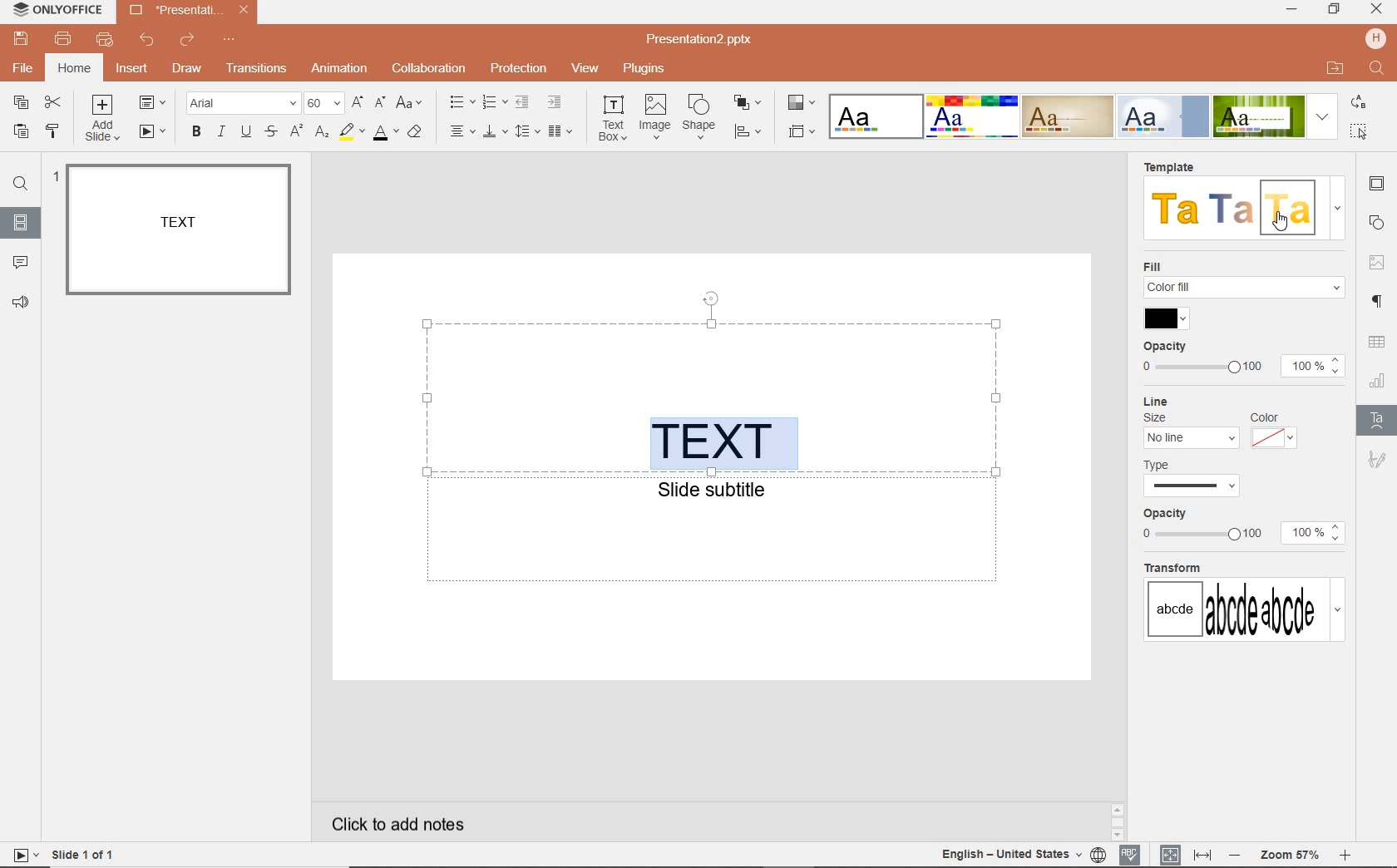  What do you see at coordinates (339, 70) in the screenshot?
I see `ANIMATION` at bounding box center [339, 70].